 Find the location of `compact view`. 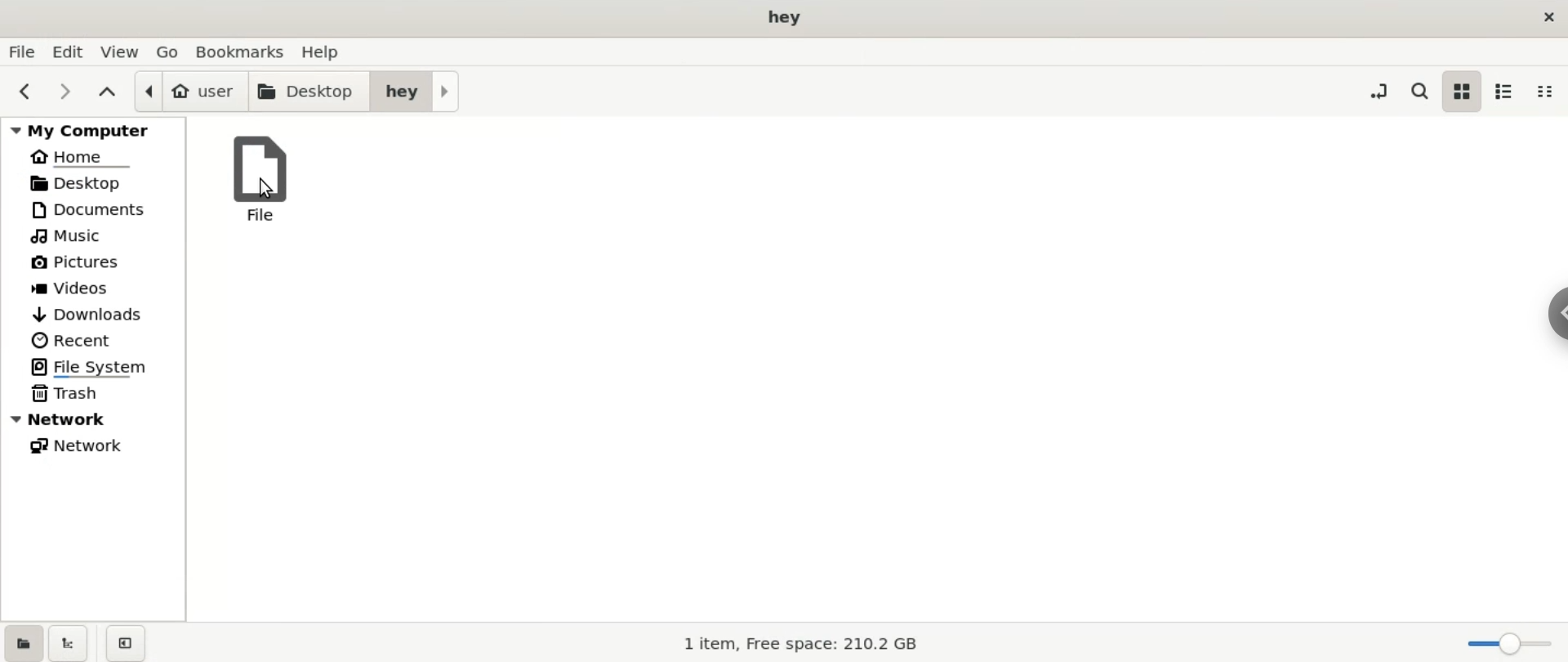

compact view is located at coordinates (1551, 92).